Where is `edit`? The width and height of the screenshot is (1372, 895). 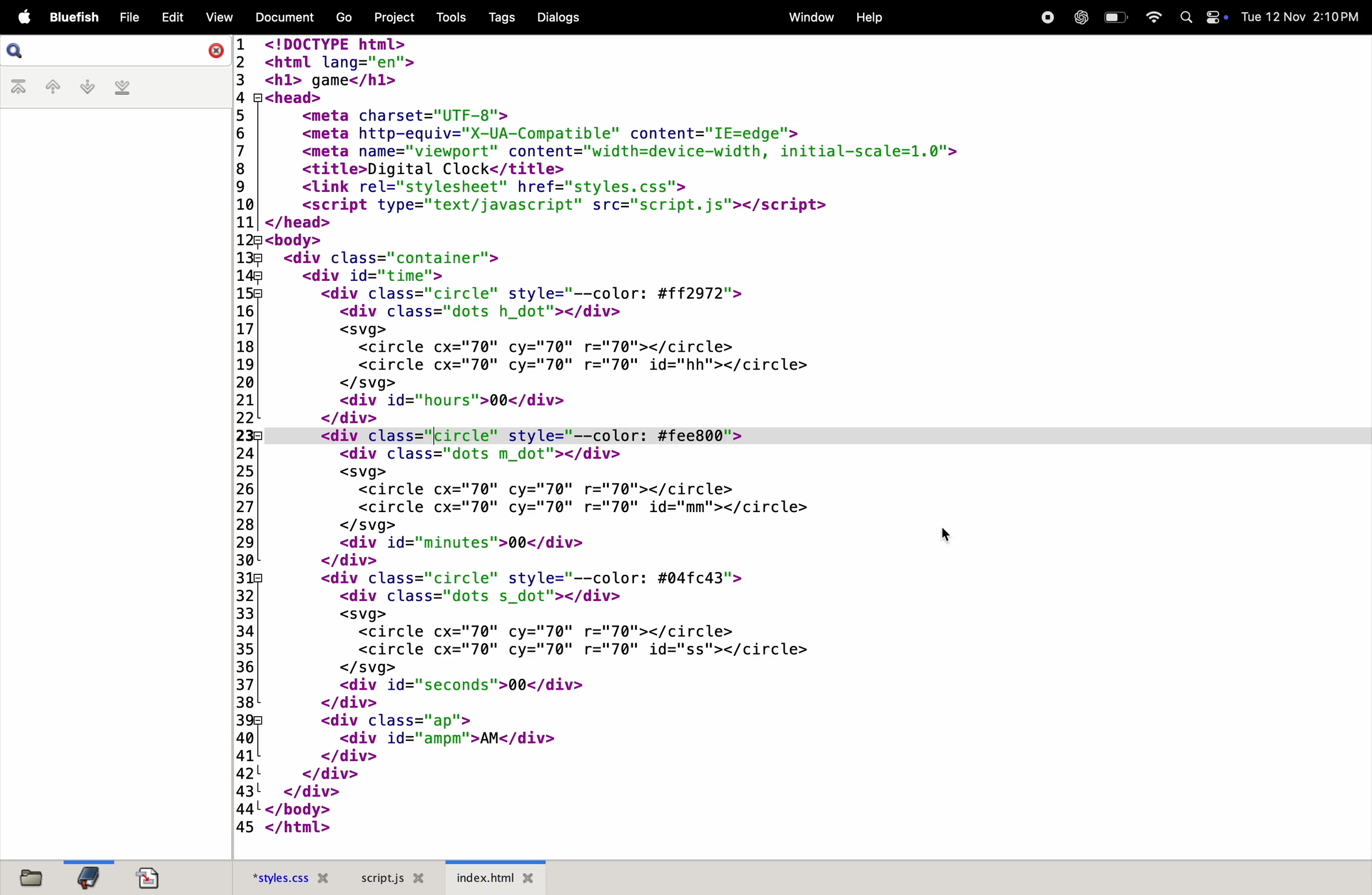 edit is located at coordinates (172, 16).